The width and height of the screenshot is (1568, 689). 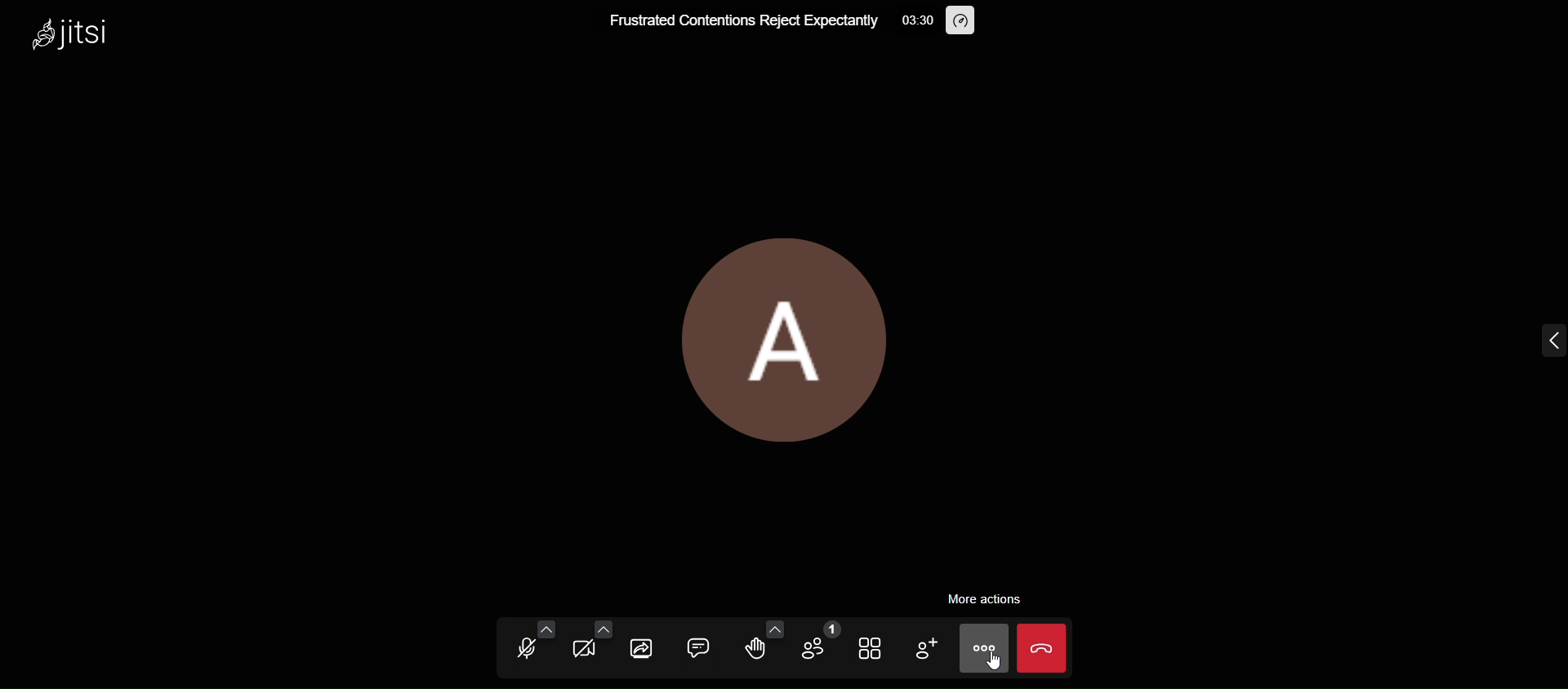 What do you see at coordinates (639, 648) in the screenshot?
I see `screenshare` at bounding box center [639, 648].